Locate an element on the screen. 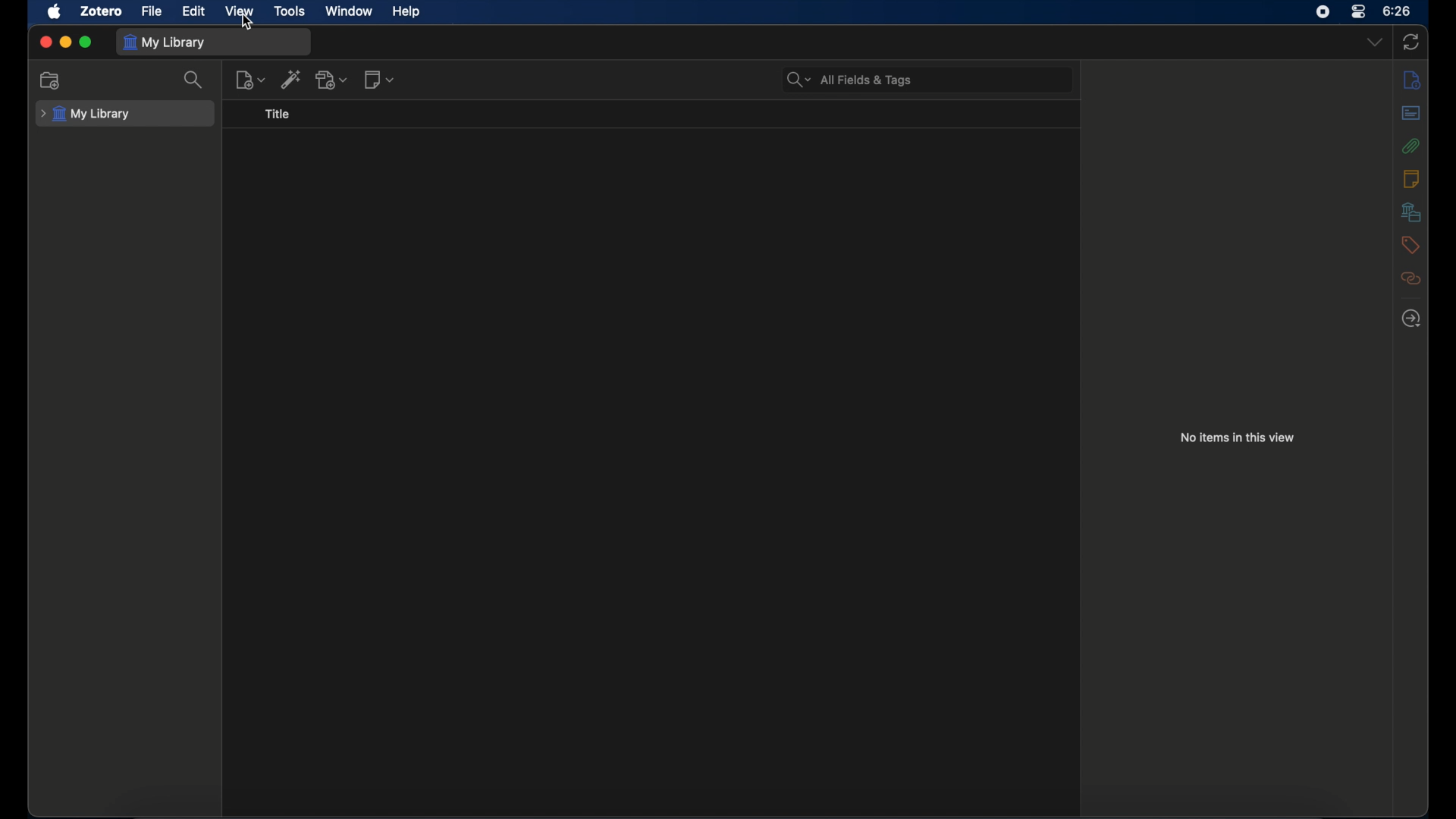 Image resolution: width=1456 pixels, height=819 pixels. cursor is located at coordinates (249, 23).